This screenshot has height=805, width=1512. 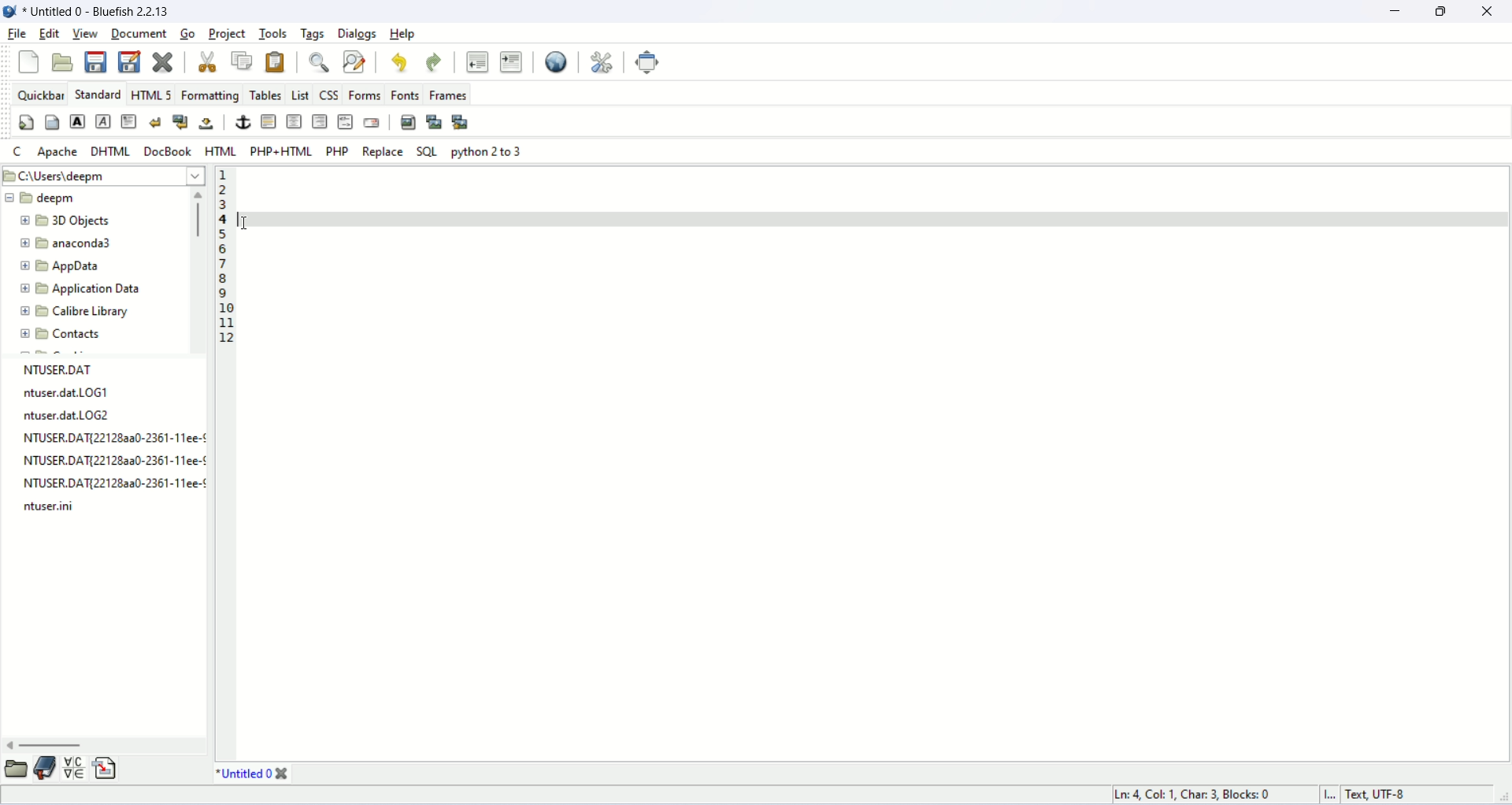 I want to click on dhtml, so click(x=113, y=151).